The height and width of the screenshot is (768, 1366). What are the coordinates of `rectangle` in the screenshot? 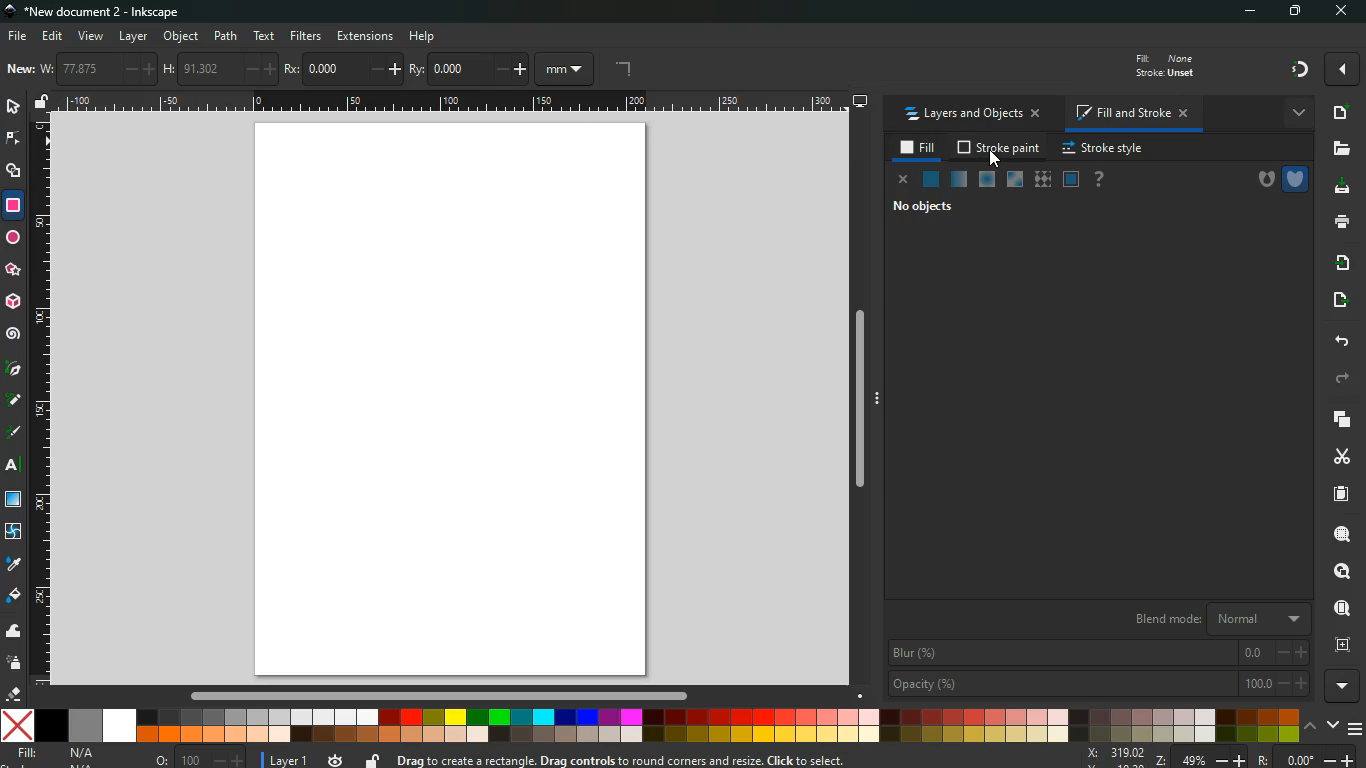 It's located at (15, 204).